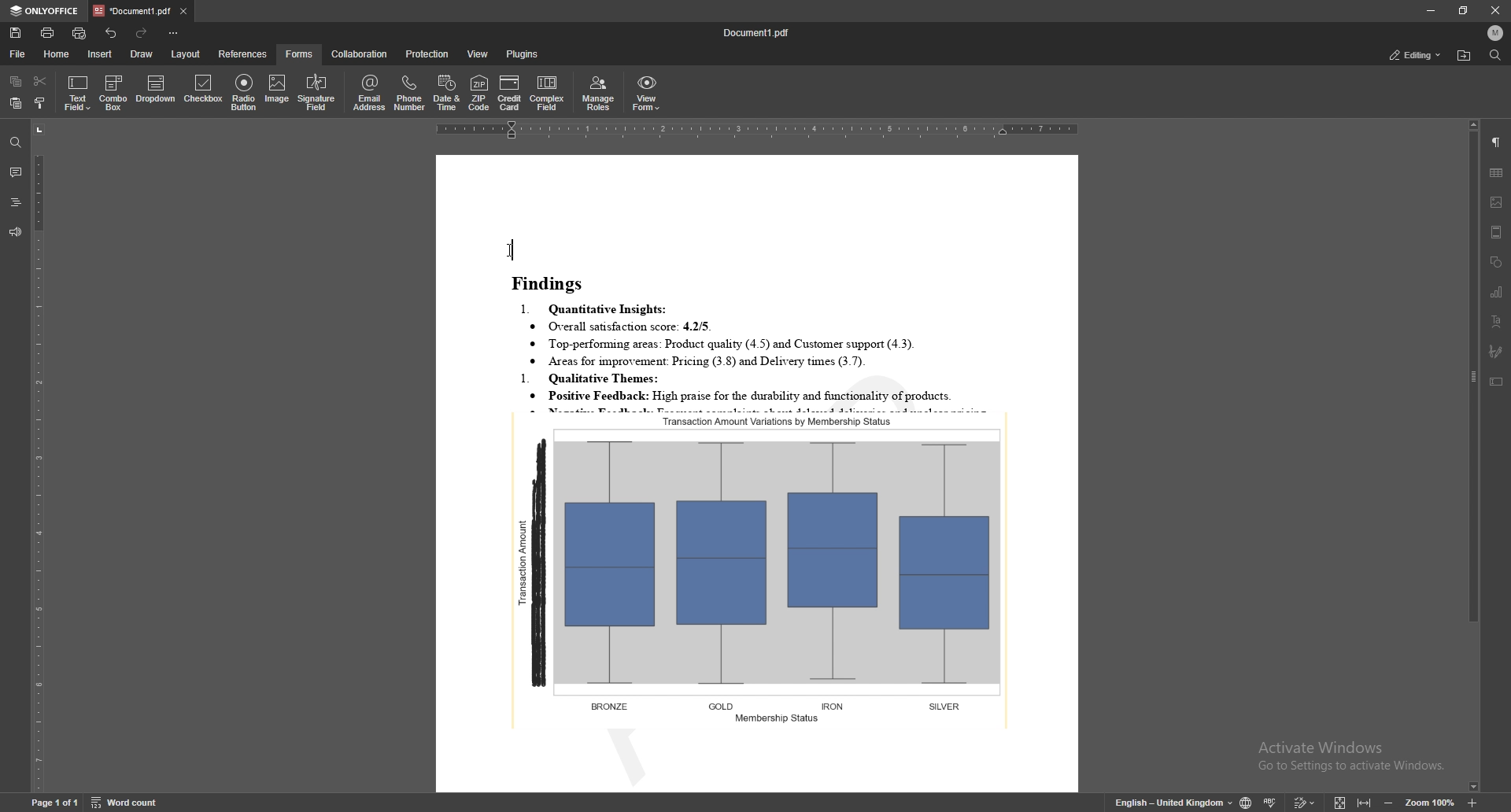 This screenshot has width=1511, height=812. What do you see at coordinates (1464, 57) in the screenshot?
I see `locate file` at bounding box center [1464, 57].